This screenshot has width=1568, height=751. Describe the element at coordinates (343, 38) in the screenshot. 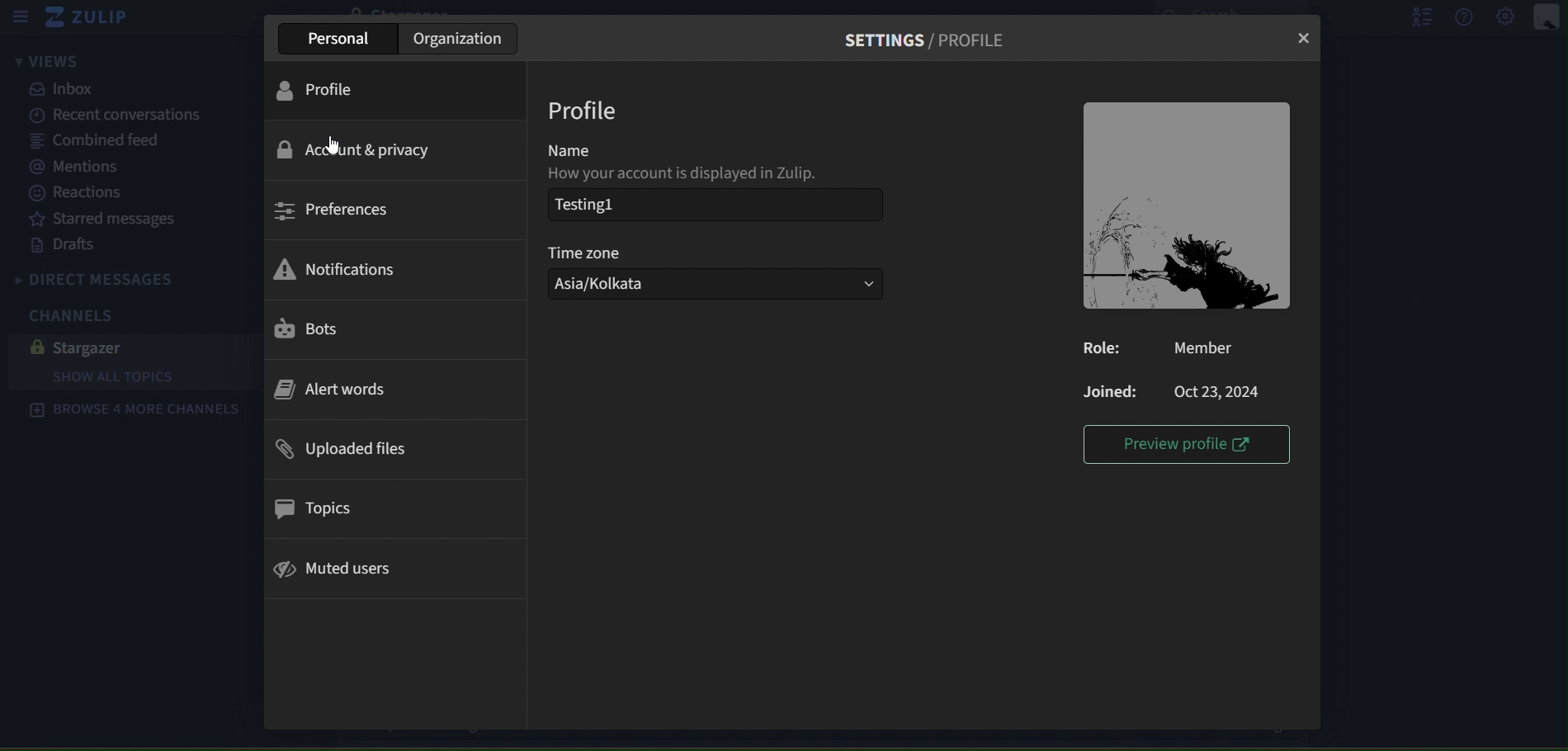

I see `personal` at that location.